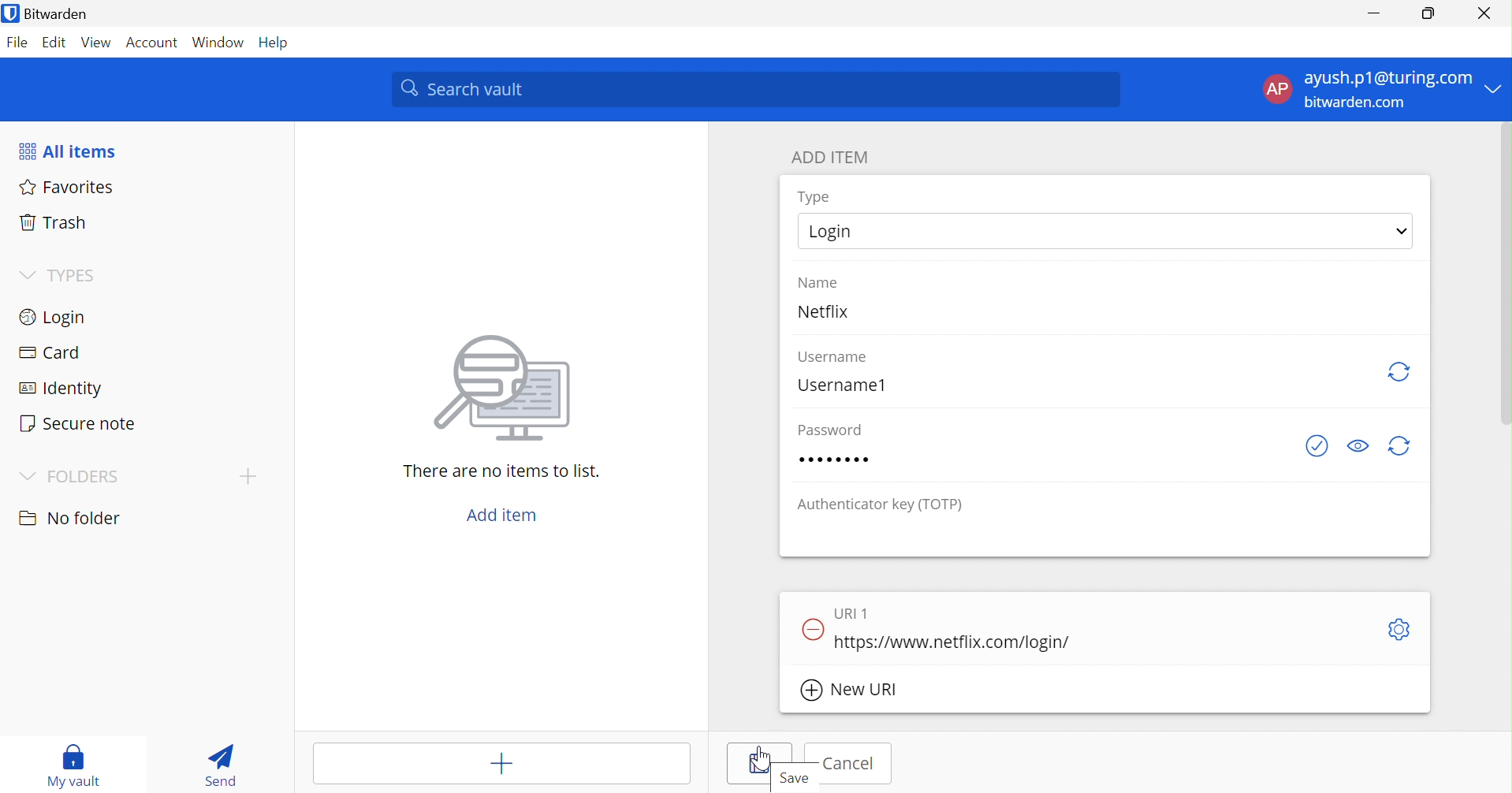 The height and width of the screenshot is (793, 1512). What do you see at coordinates (828, 429) in the screenshot?
I see `Password` at bounding box center [828, 429].